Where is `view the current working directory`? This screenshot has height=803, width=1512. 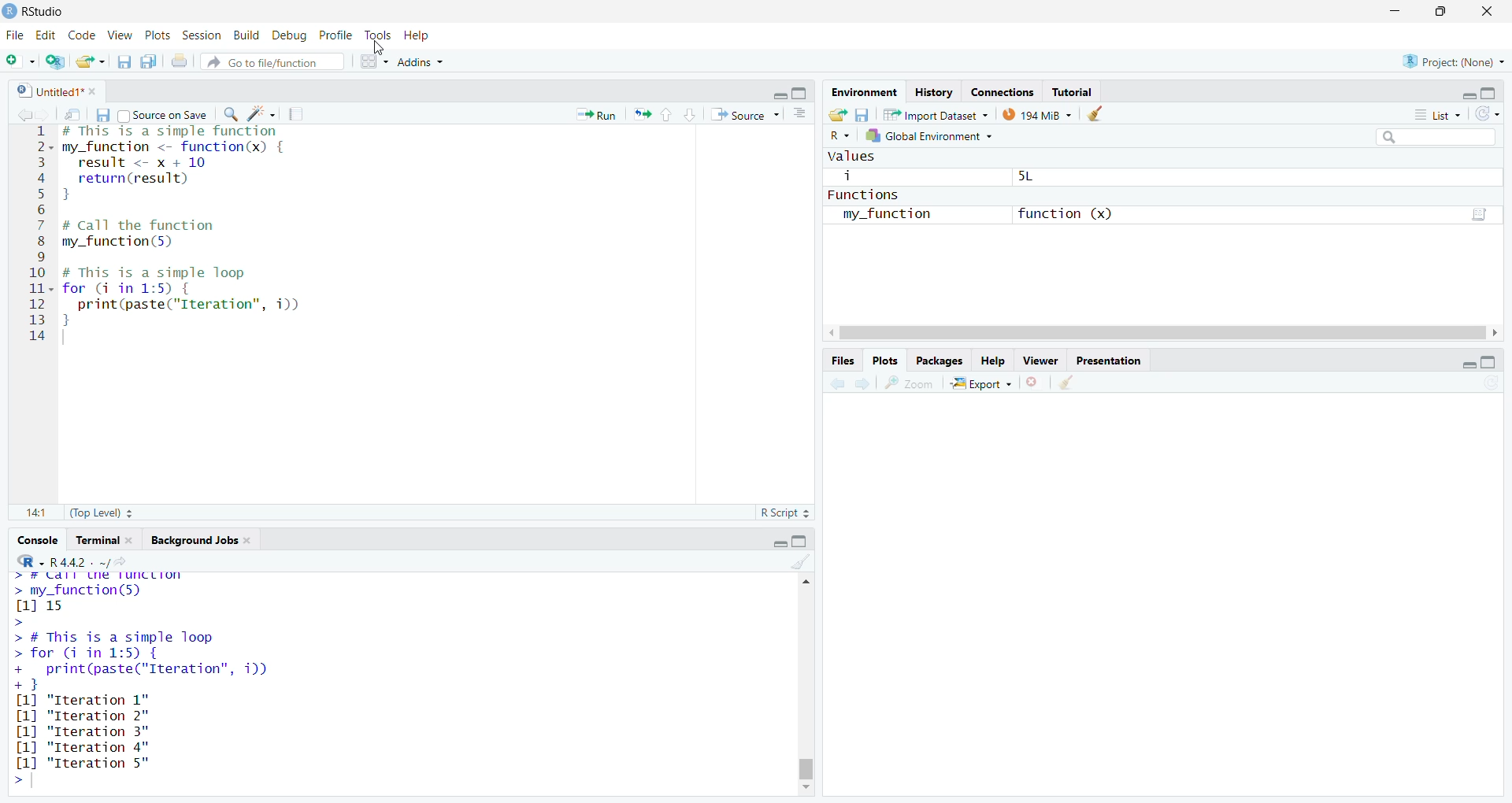 view the current working directory is located at coordinates (128, 561).